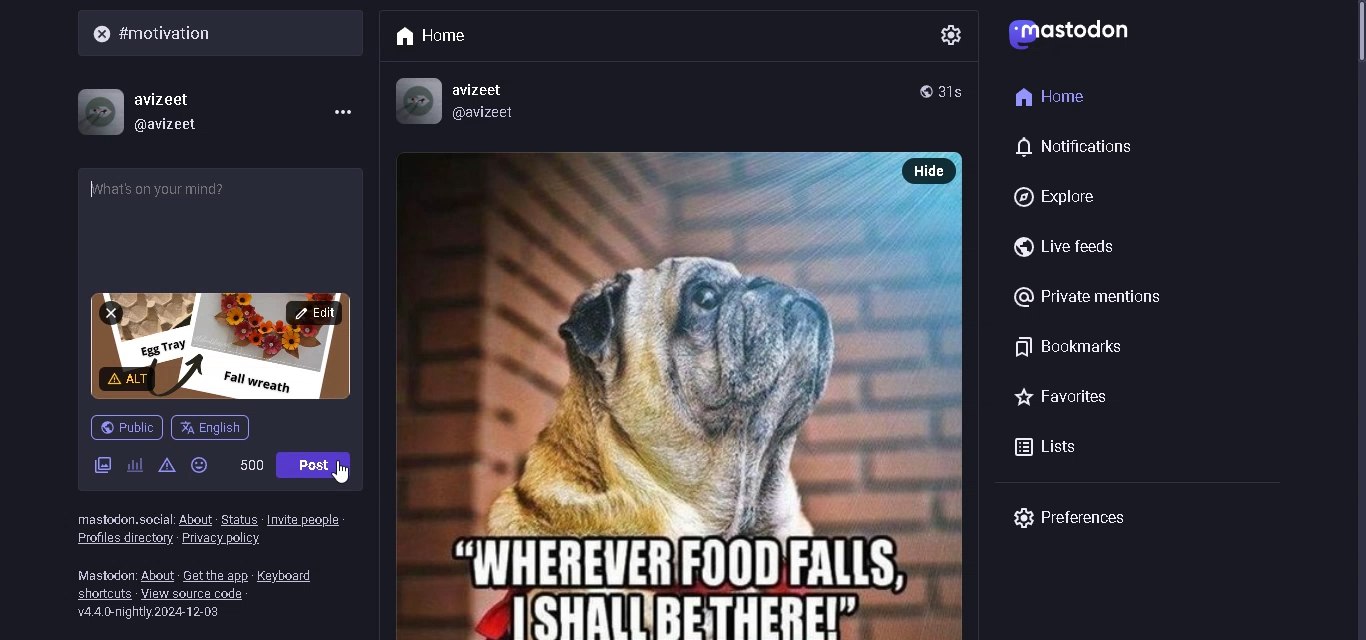  What do you see at coordinates (159, 572) in the screenshot?
I see `about` at bounding box center [159, 572].